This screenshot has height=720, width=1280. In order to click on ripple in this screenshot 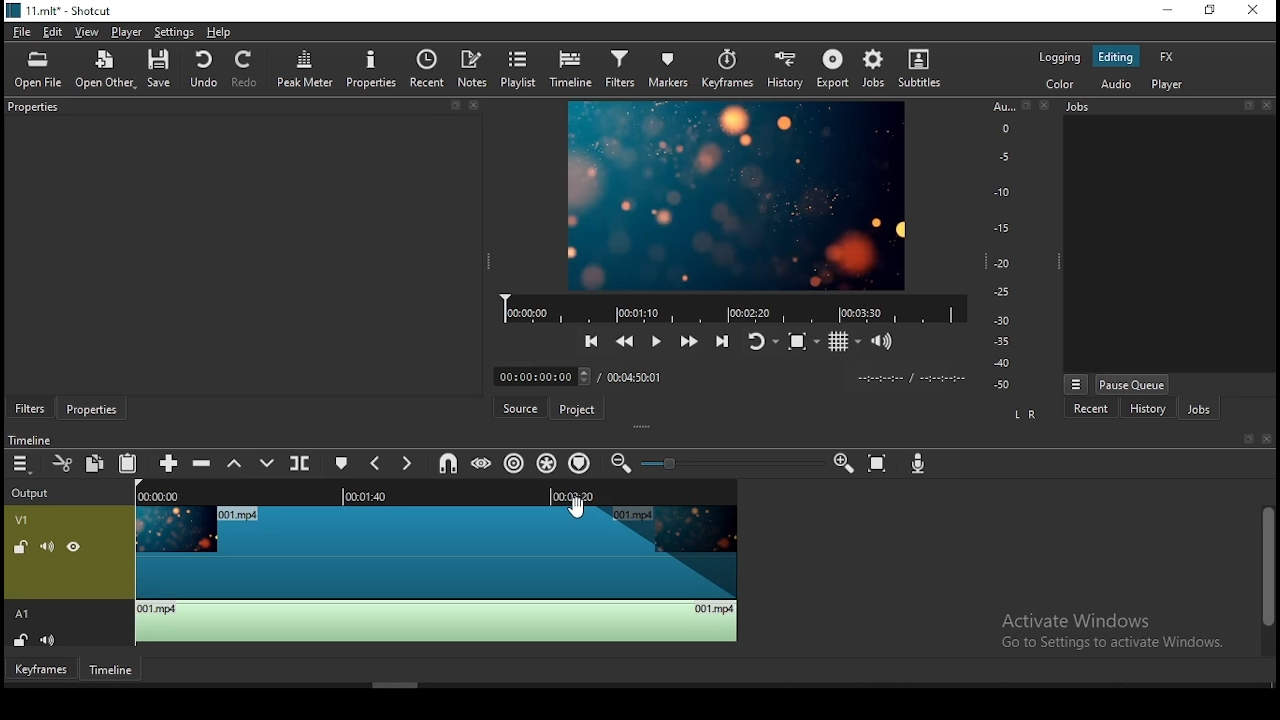, I will do `click(517, 464)`.